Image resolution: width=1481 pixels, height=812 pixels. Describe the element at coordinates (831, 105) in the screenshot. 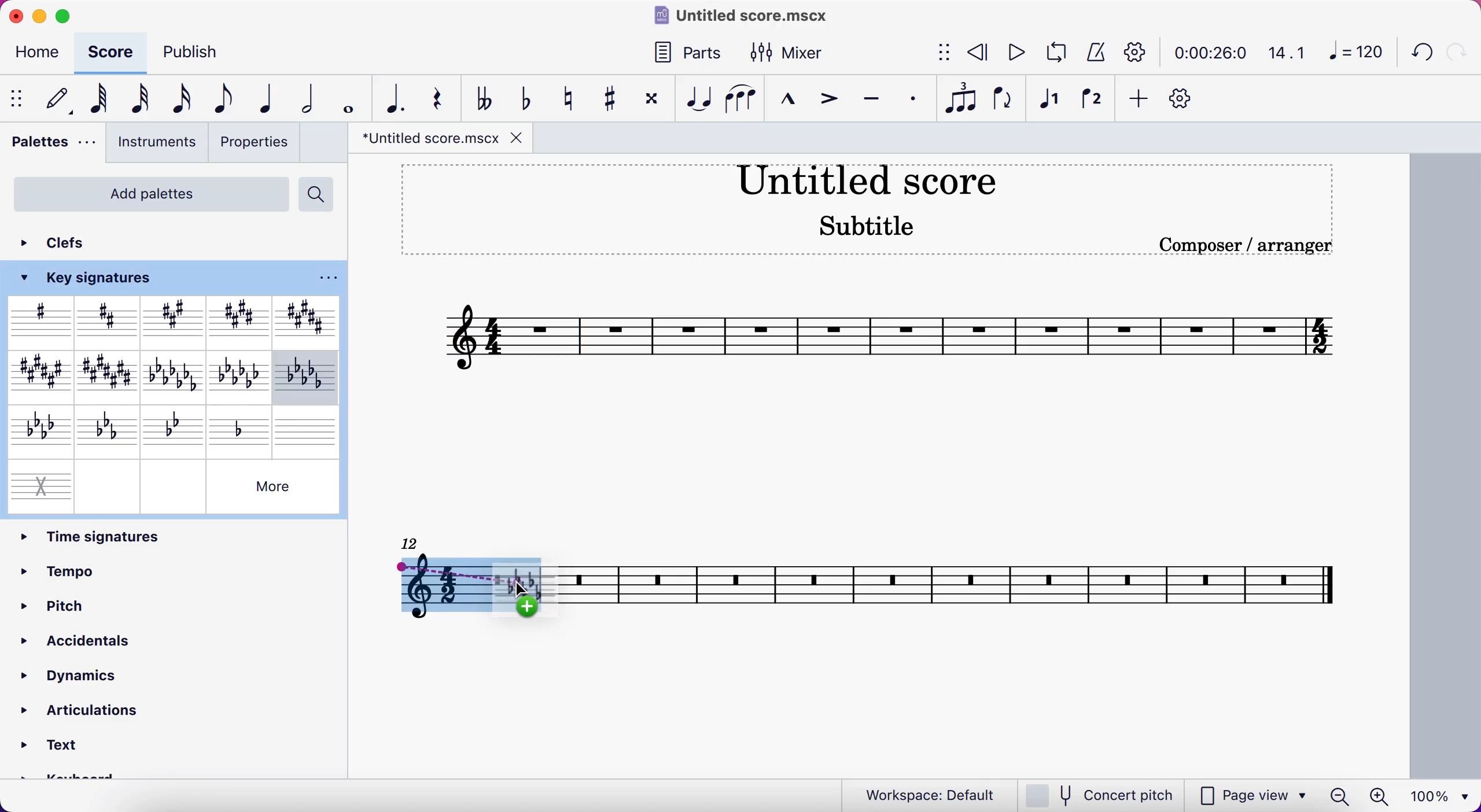

I see `accent` at that location.